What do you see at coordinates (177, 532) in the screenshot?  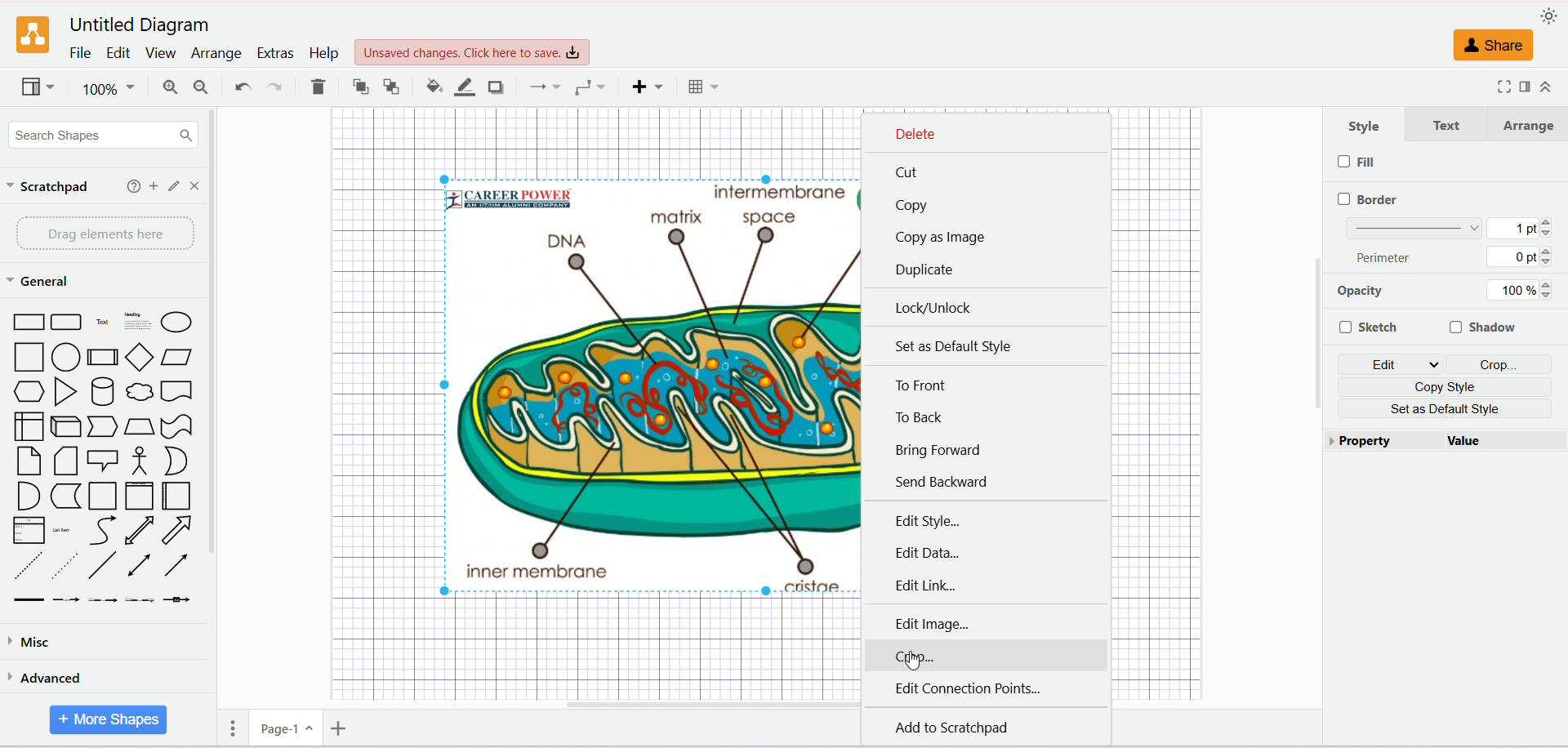 I see `Arrow` at bounding box center [177, 532].